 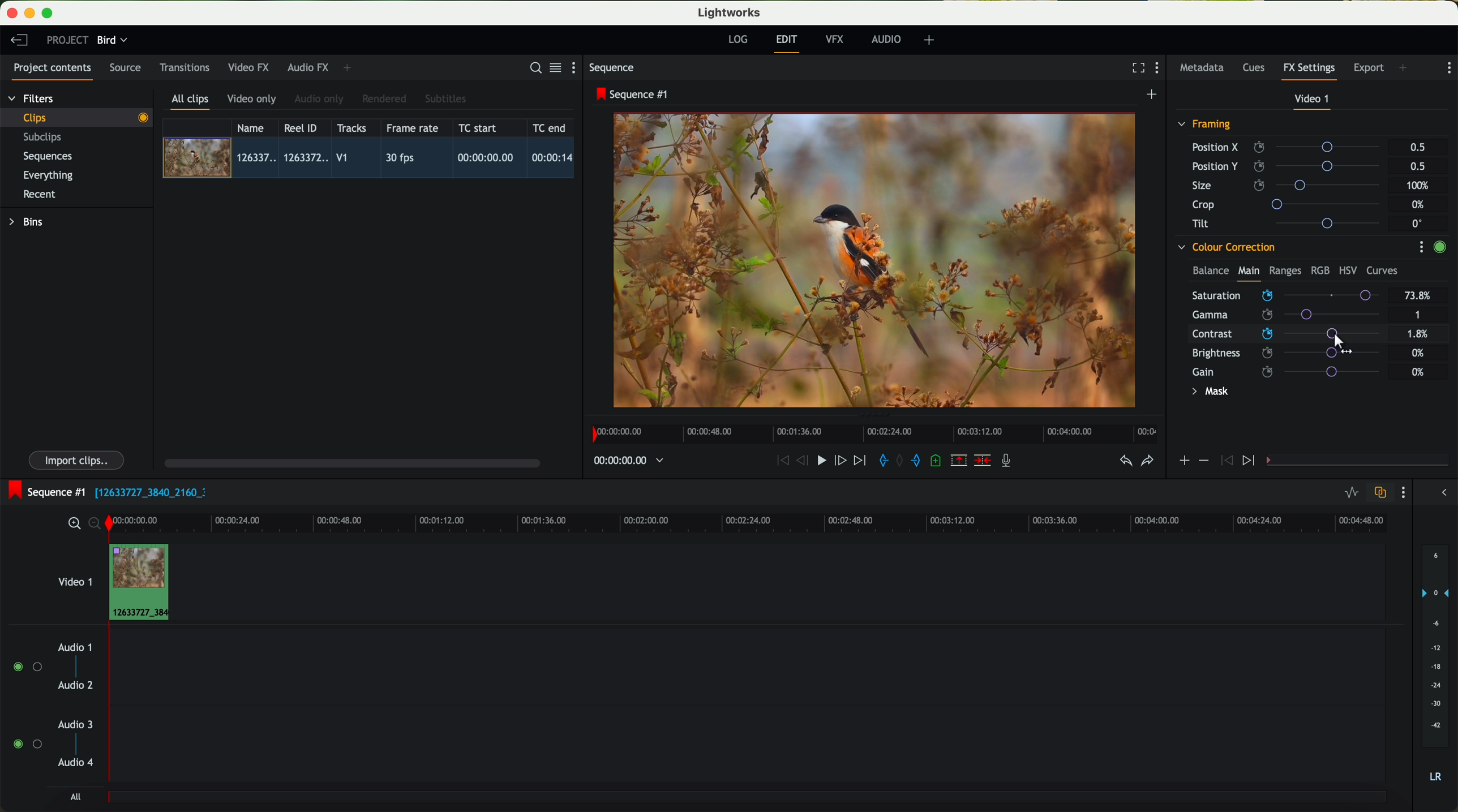 I want to click on 0%, so click(x=1418, y=372).